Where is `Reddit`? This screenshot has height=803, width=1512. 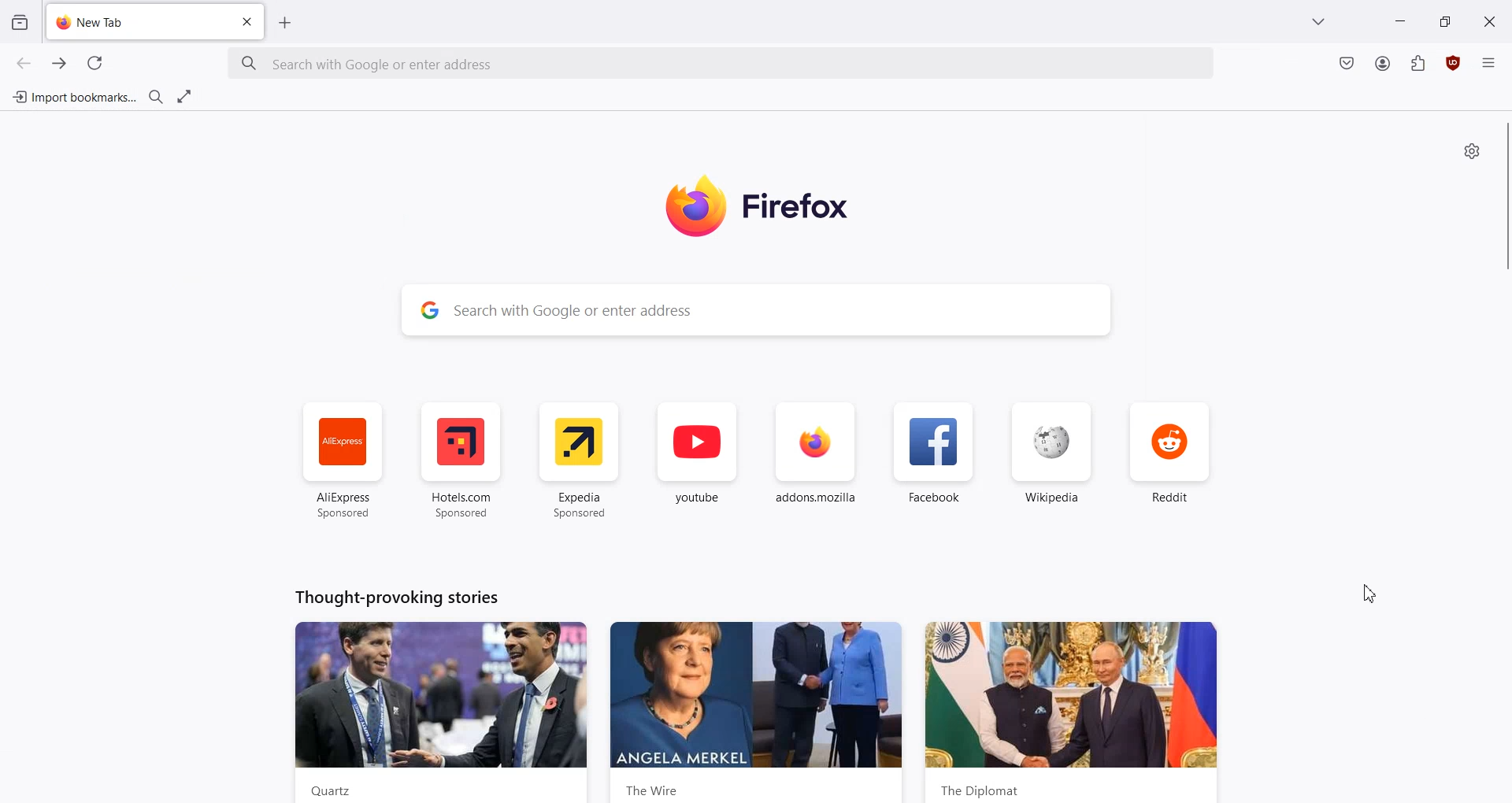 Reddit is located at coordinates (1173, 461).